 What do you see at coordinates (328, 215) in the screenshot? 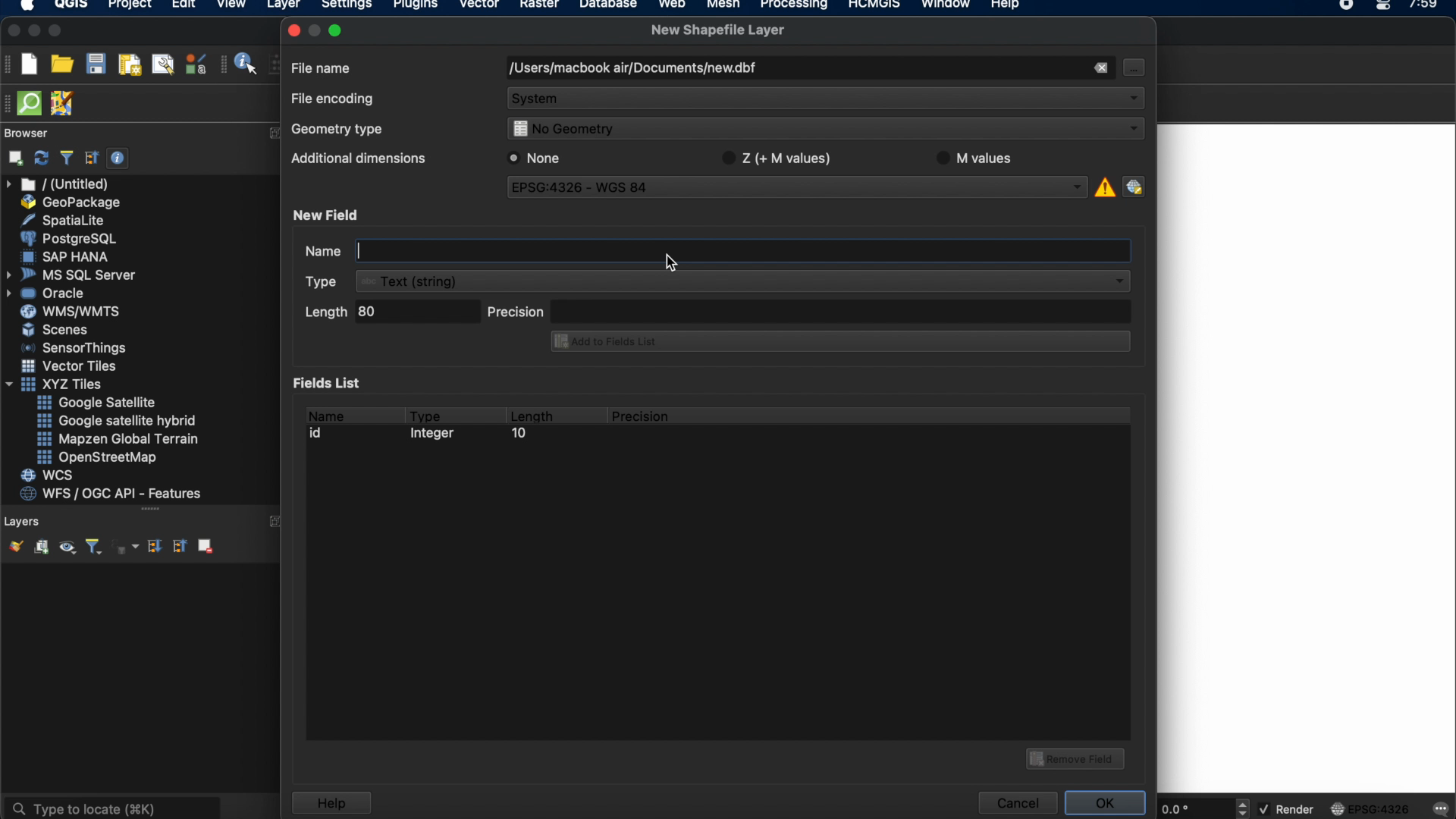
I see `new field` at bounding box center [328, 215].